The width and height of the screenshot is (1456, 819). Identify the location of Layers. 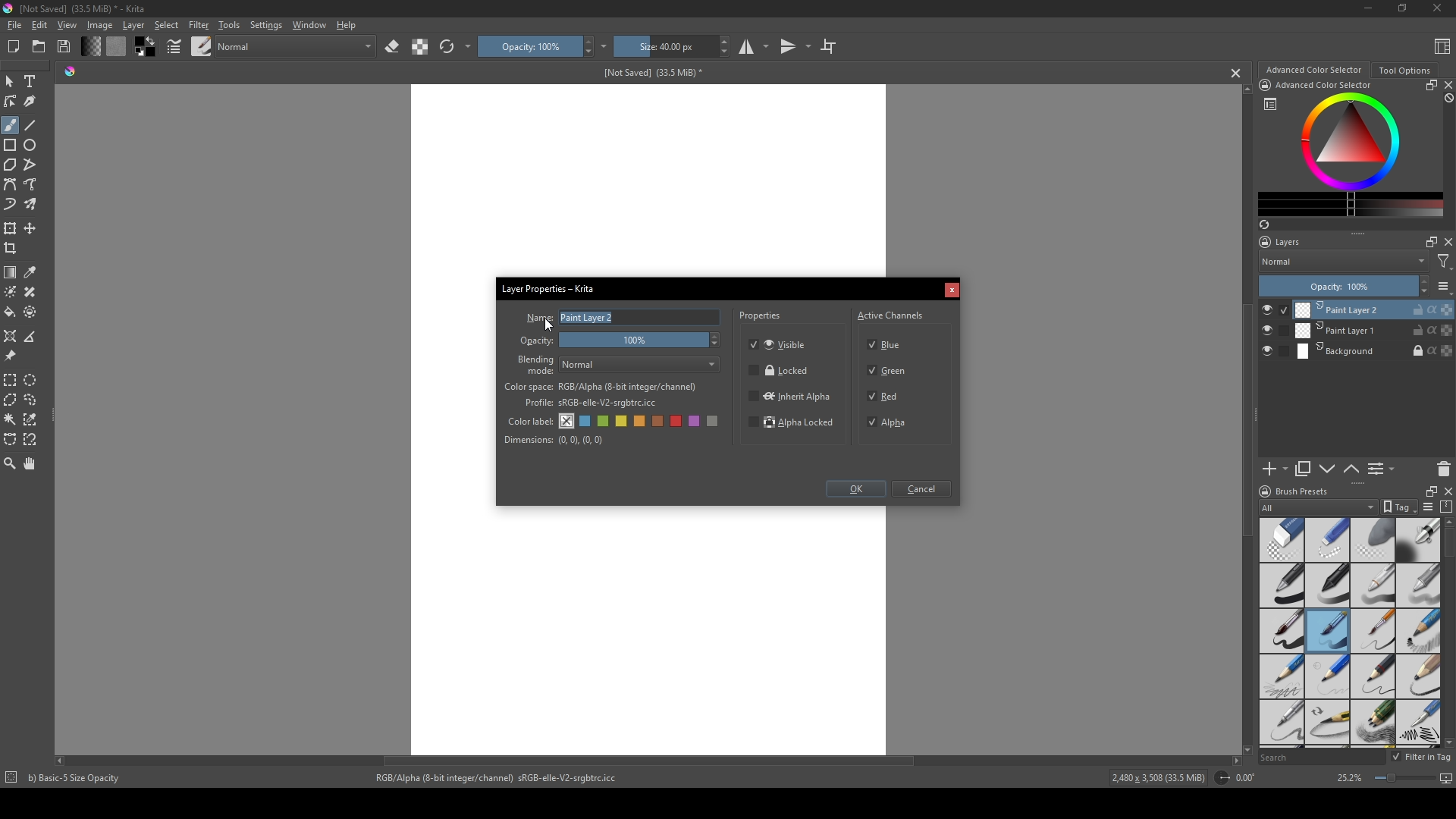
(1284, 242).